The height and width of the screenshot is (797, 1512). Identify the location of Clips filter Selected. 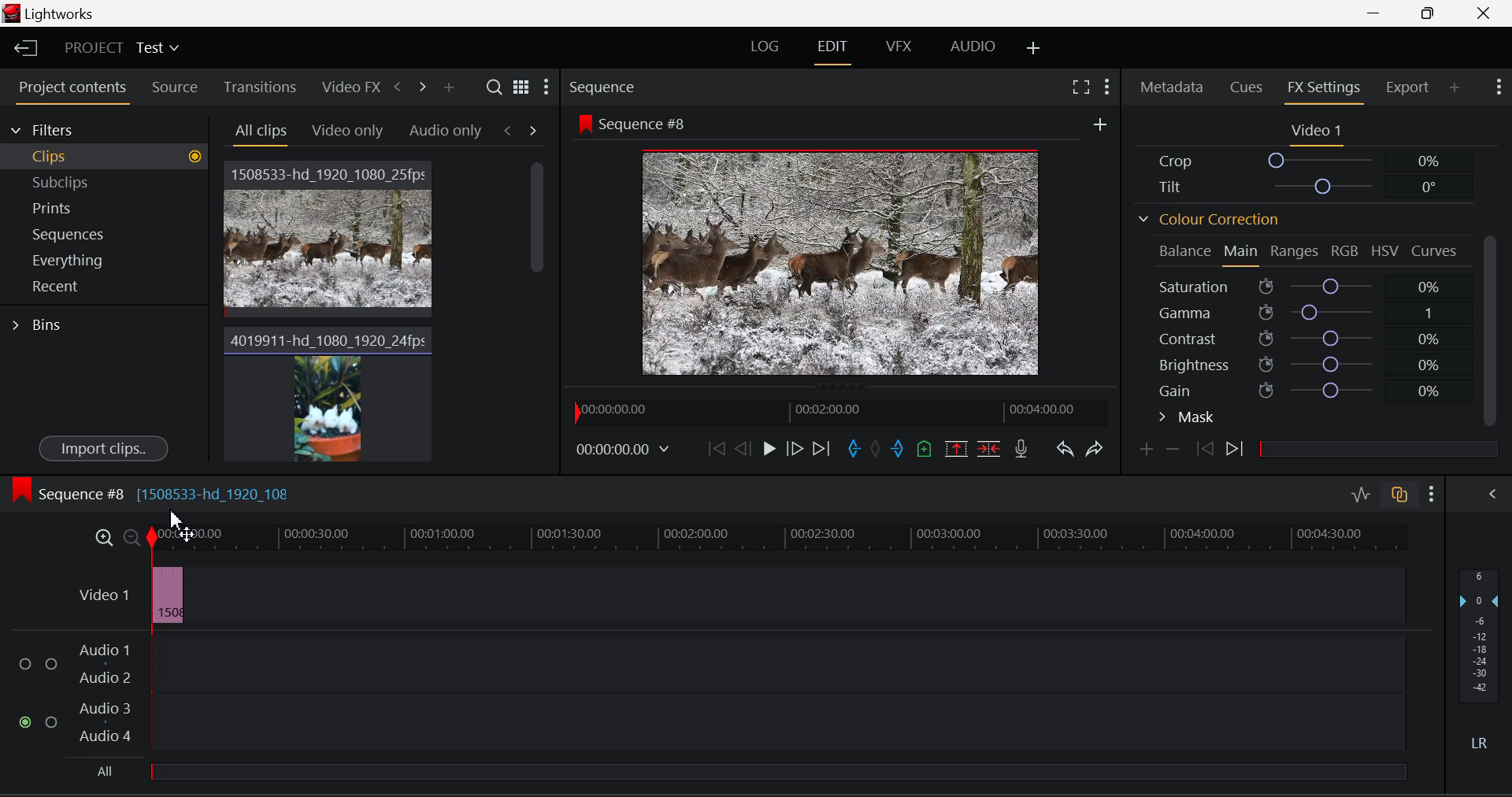
(115, 157).